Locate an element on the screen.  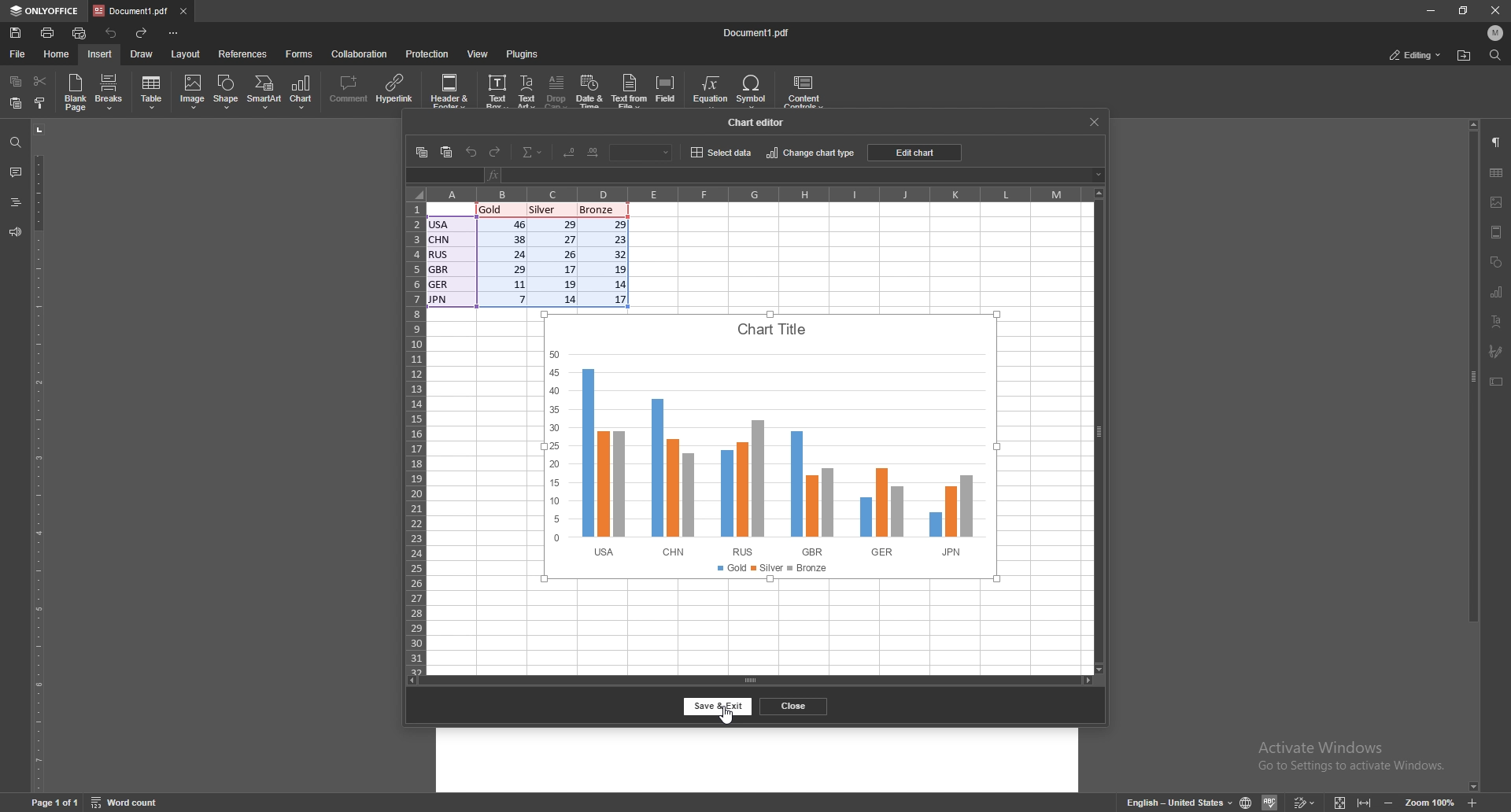
undo is located at coordinates (471, 152).